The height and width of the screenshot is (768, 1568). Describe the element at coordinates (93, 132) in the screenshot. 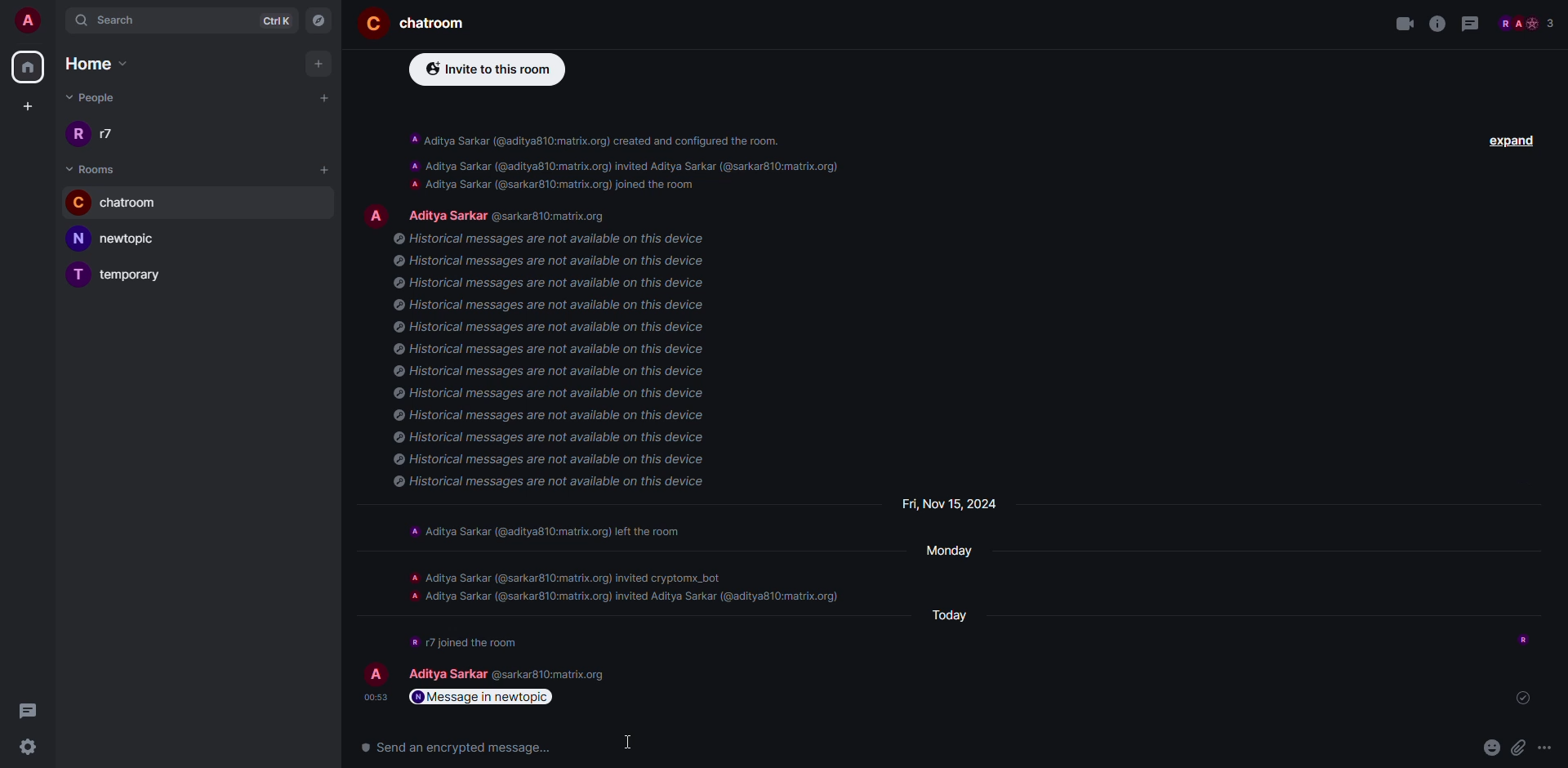

I see `r17` at that location.